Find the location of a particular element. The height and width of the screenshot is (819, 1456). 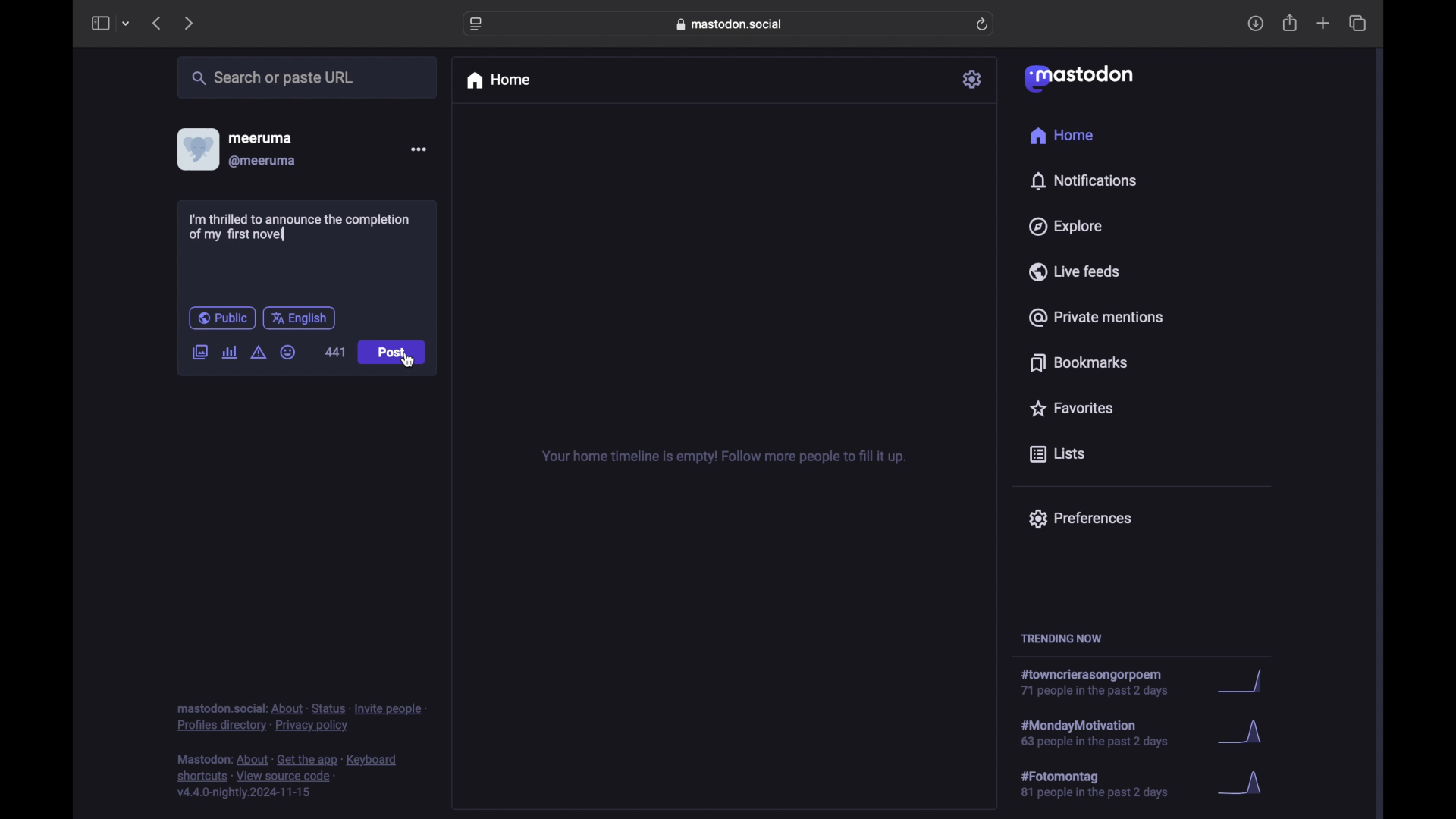

meeruma is located at coordinates (260, 138).